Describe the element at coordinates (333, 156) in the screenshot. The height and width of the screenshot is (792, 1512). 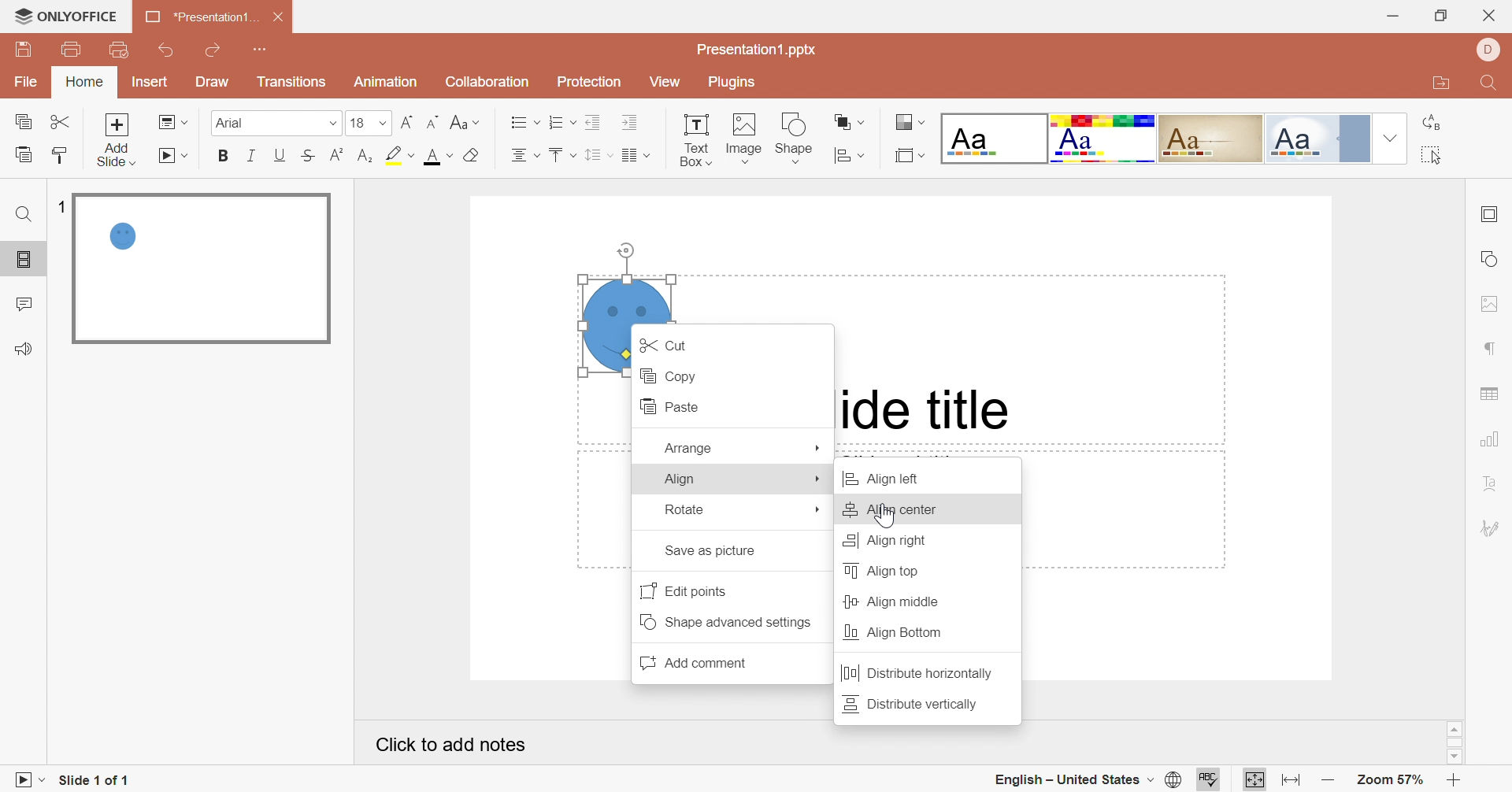
I see `Superscript` at that location.